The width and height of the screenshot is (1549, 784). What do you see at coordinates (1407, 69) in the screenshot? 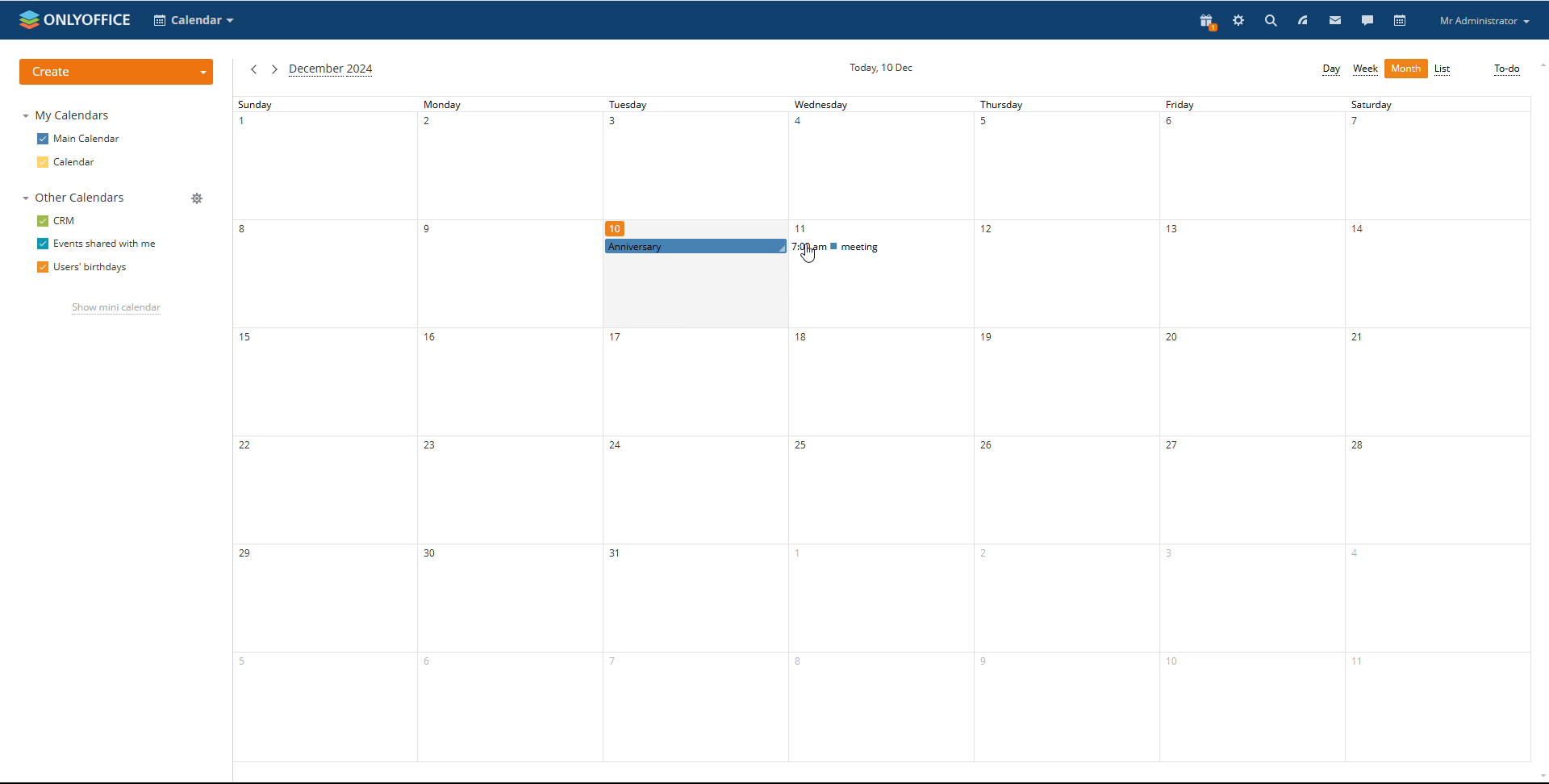
I see `month view` at bounding box center [1407, 69].